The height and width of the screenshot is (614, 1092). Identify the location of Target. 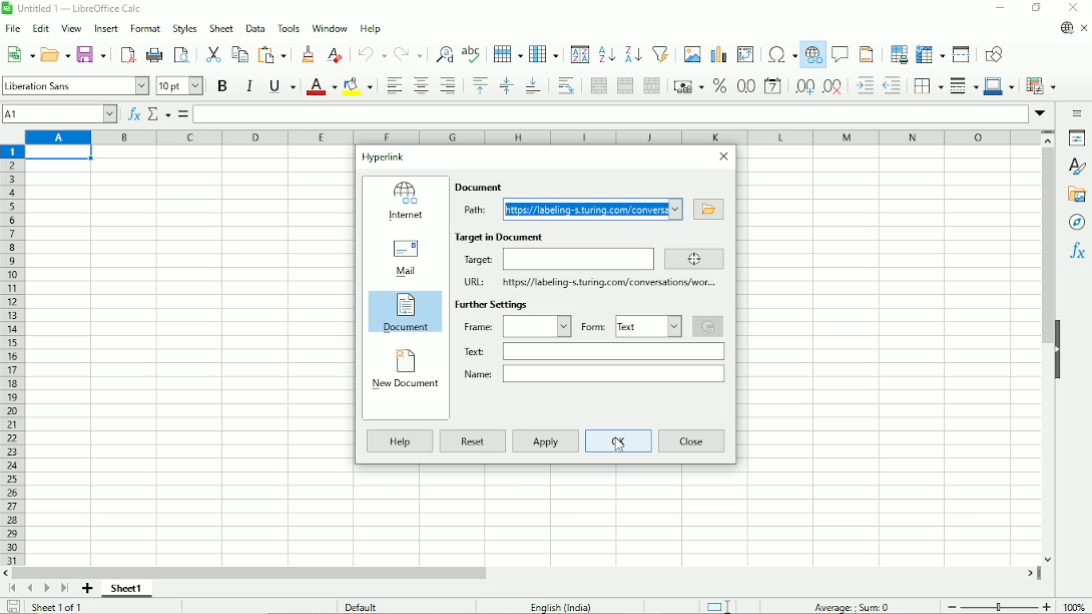
(478, 259).